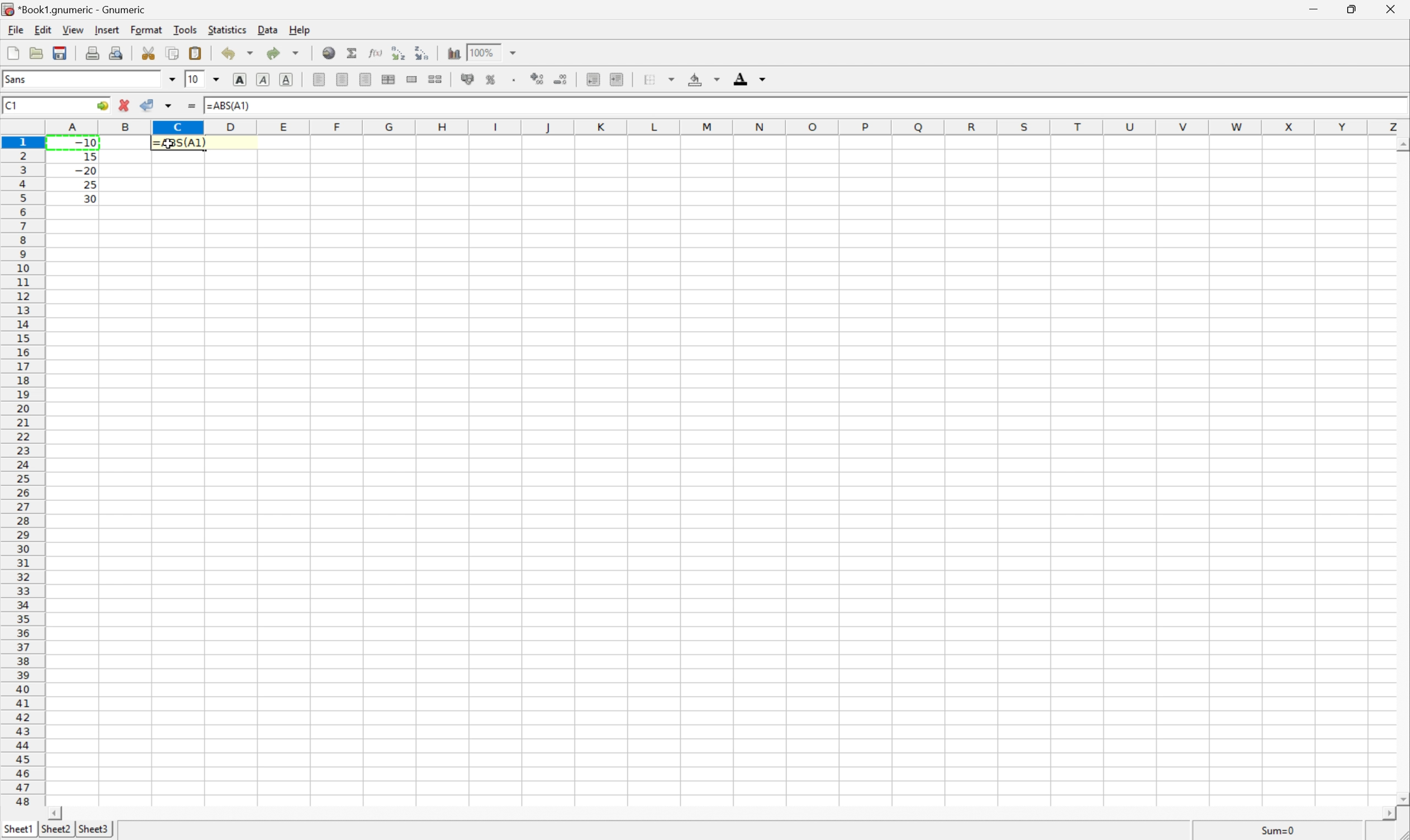 The width and height of the screenshot is (1410, 840). Describe the element at coordinates (271, 31) in the screenshot. I see `Data` at that location.